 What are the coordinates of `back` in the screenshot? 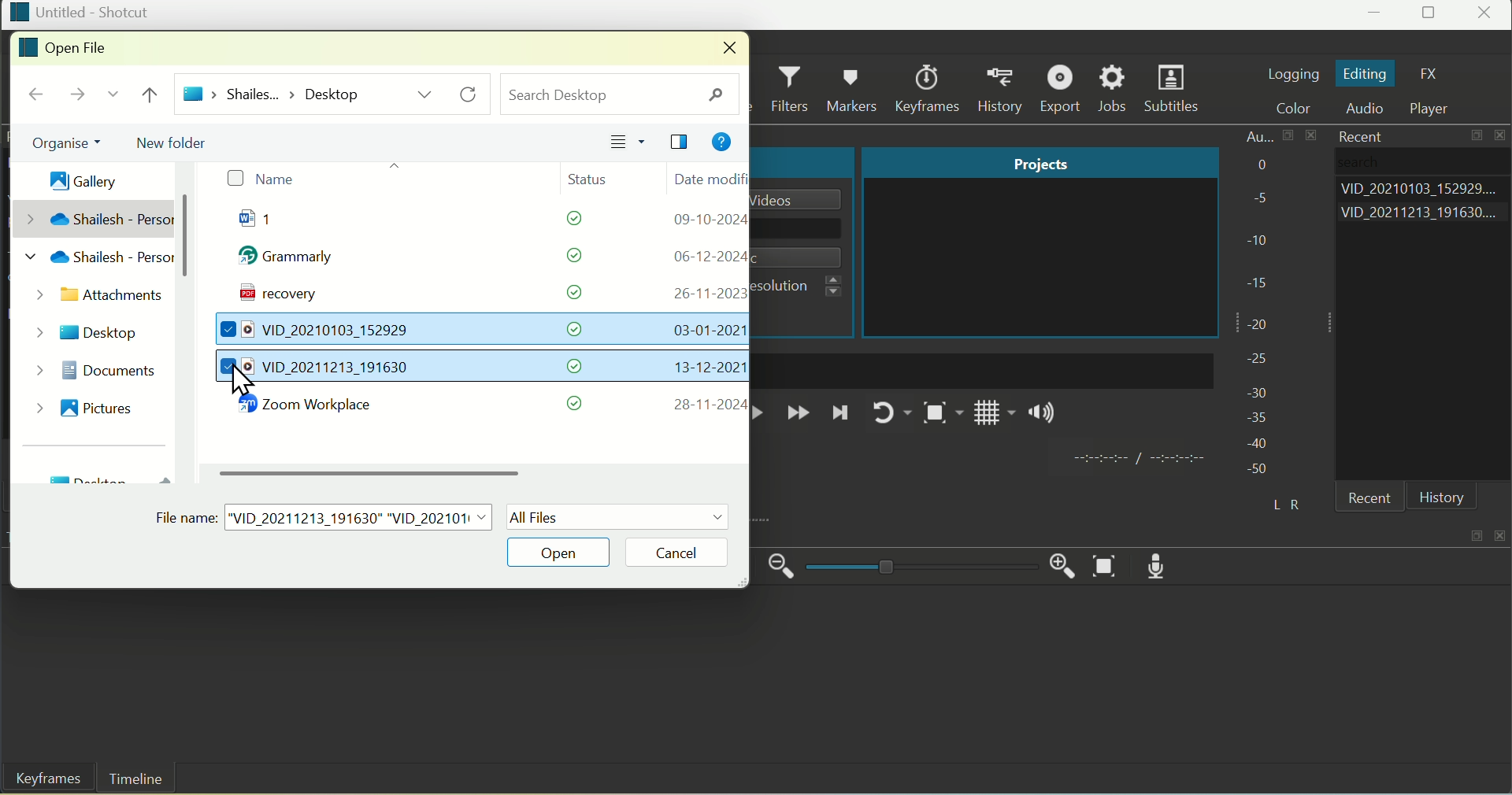 It's located at (36, 95).